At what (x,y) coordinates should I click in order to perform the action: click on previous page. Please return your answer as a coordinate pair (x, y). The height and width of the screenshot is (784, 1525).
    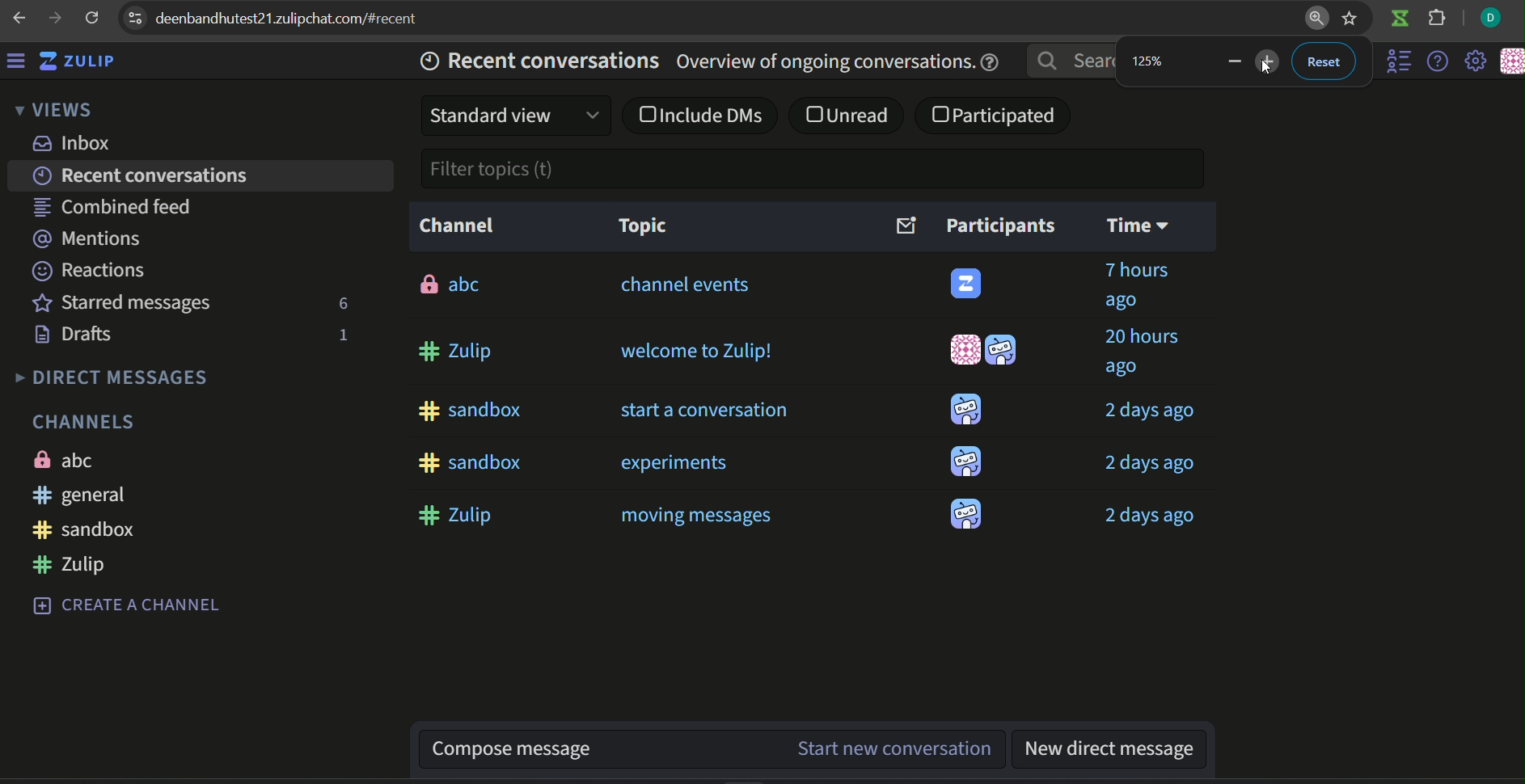
    Looking at the image, I should click on (18, 15).